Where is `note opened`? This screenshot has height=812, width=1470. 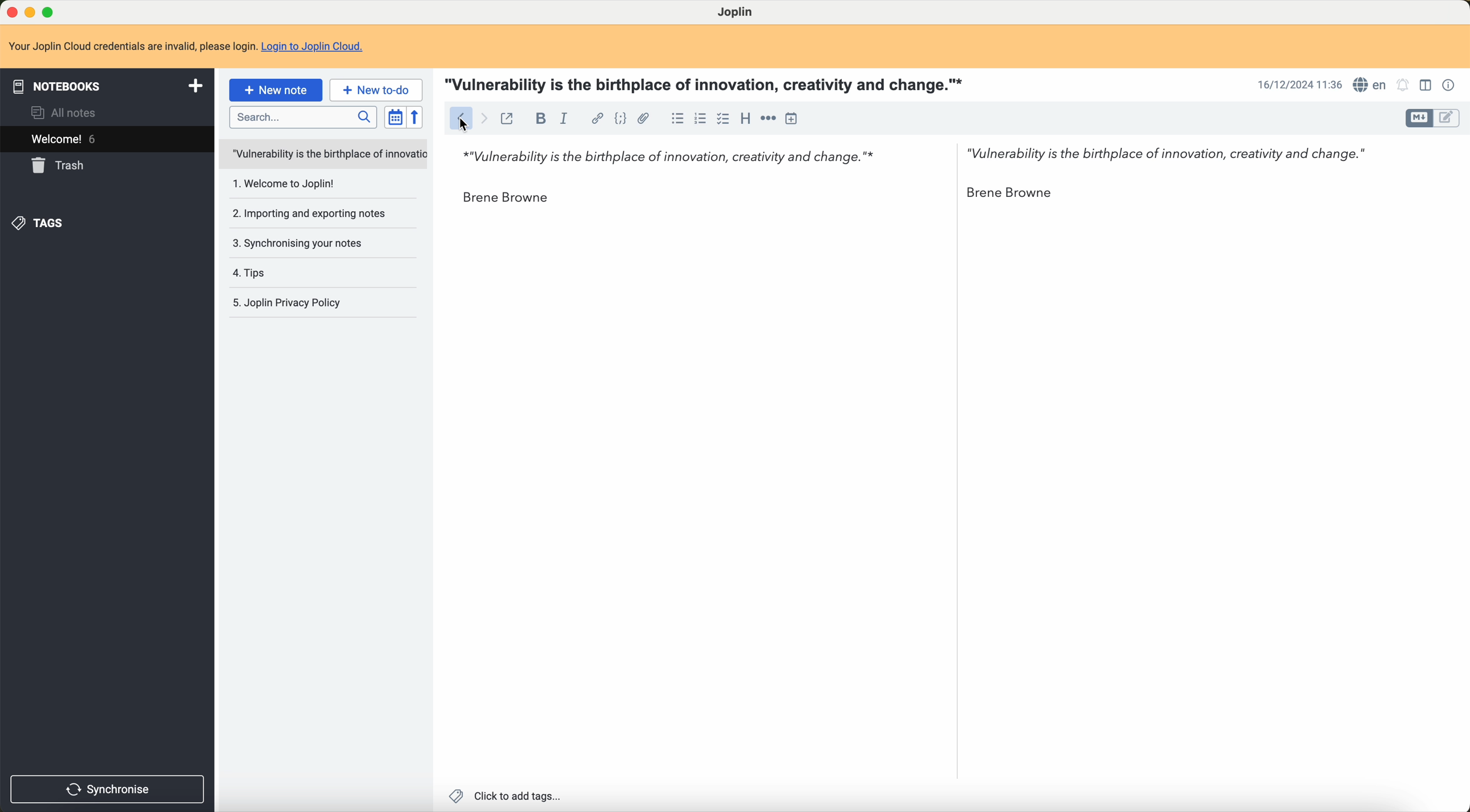 note opened is located at coordinates (321, 153).